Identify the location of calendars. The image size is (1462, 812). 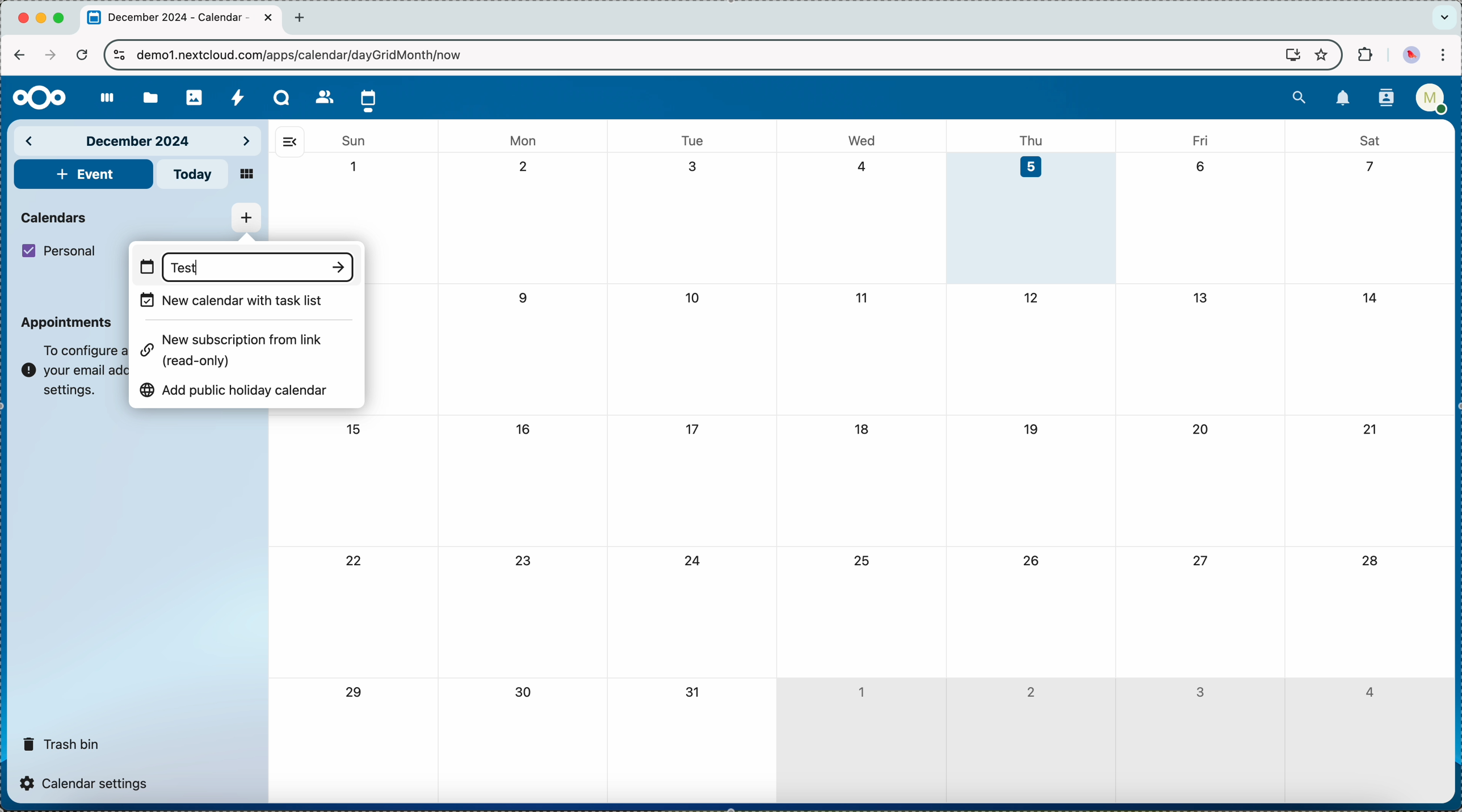
(56, 216).